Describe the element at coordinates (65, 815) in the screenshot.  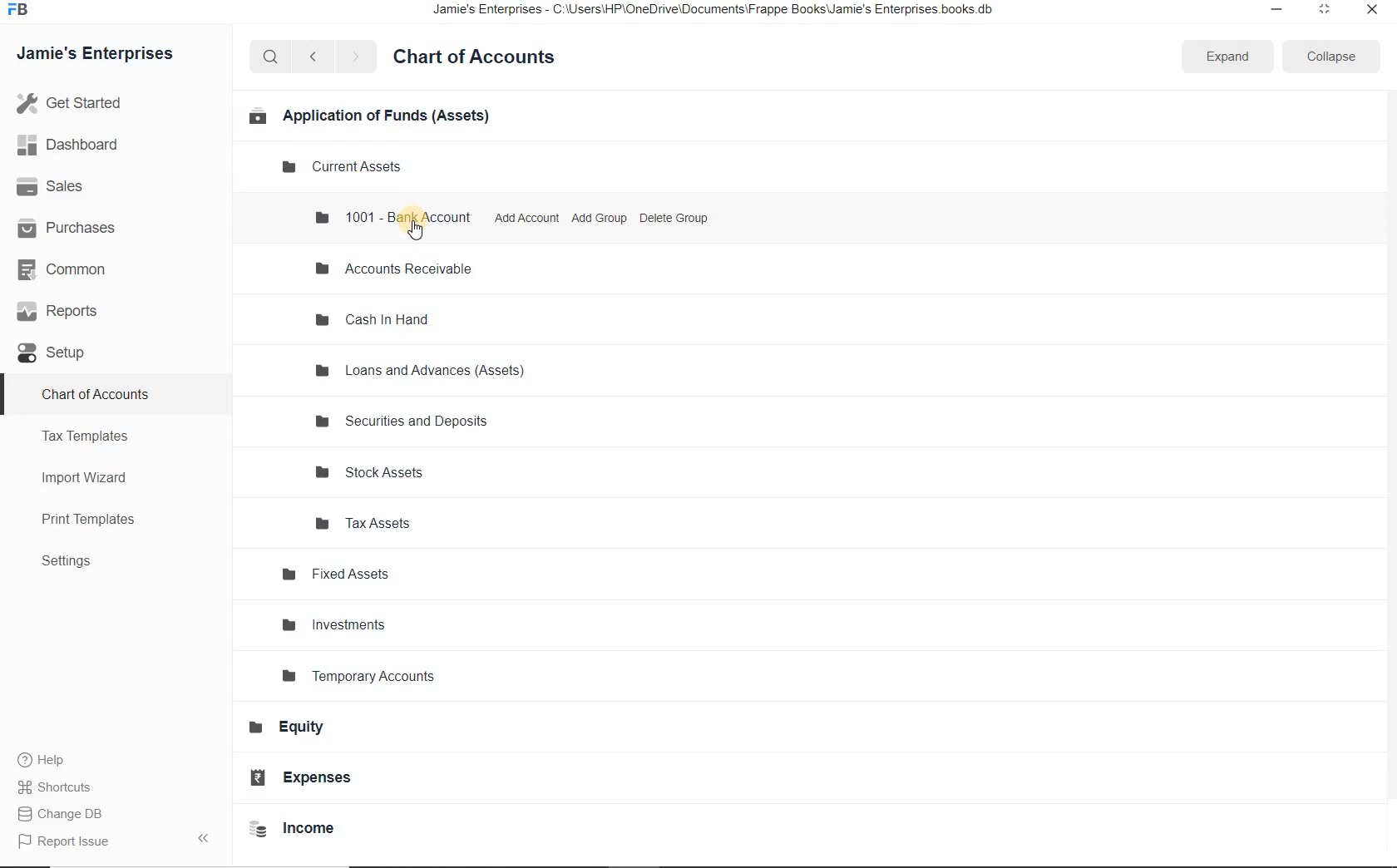
I see `Change DB` at that location.